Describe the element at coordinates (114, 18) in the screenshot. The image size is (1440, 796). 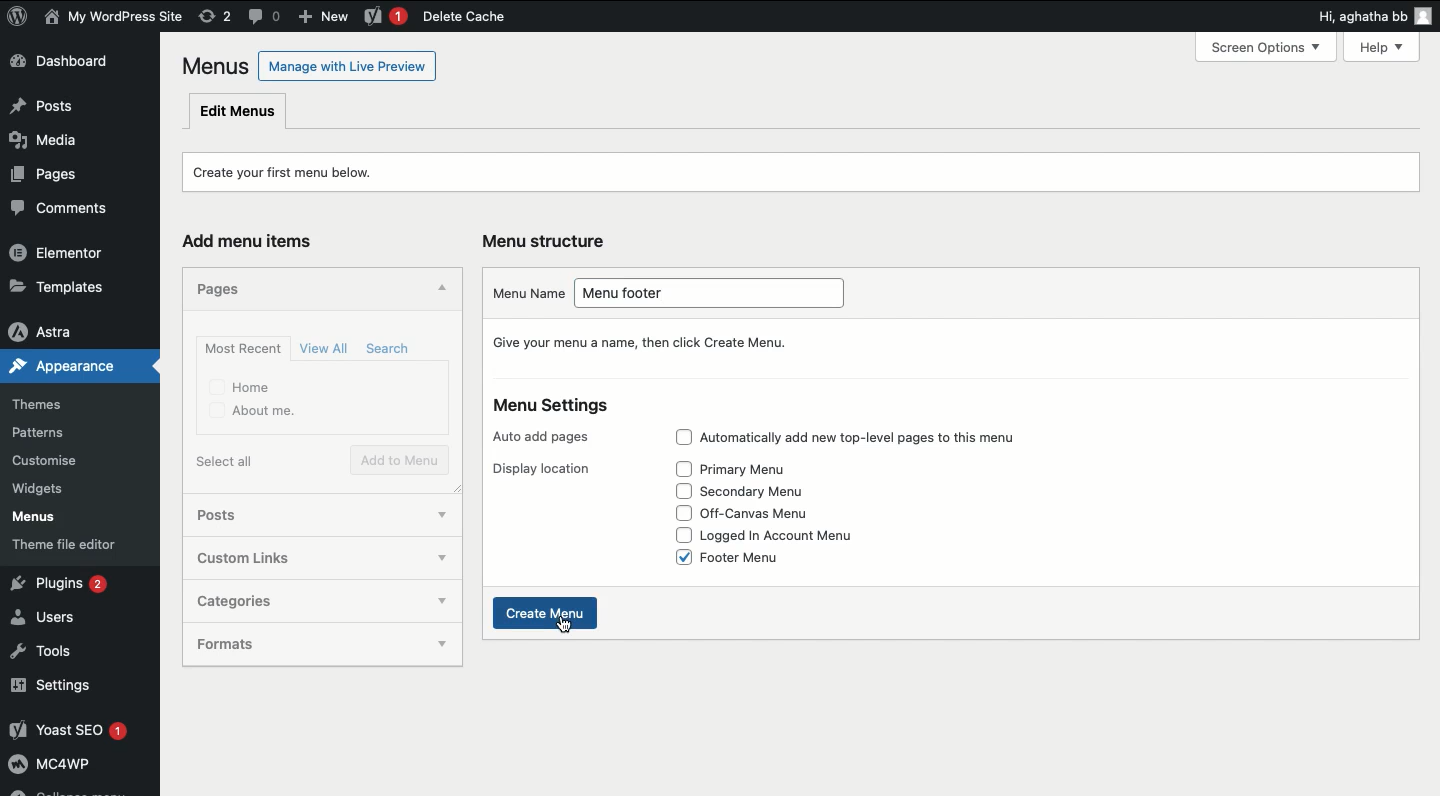
I see `User` at that location.